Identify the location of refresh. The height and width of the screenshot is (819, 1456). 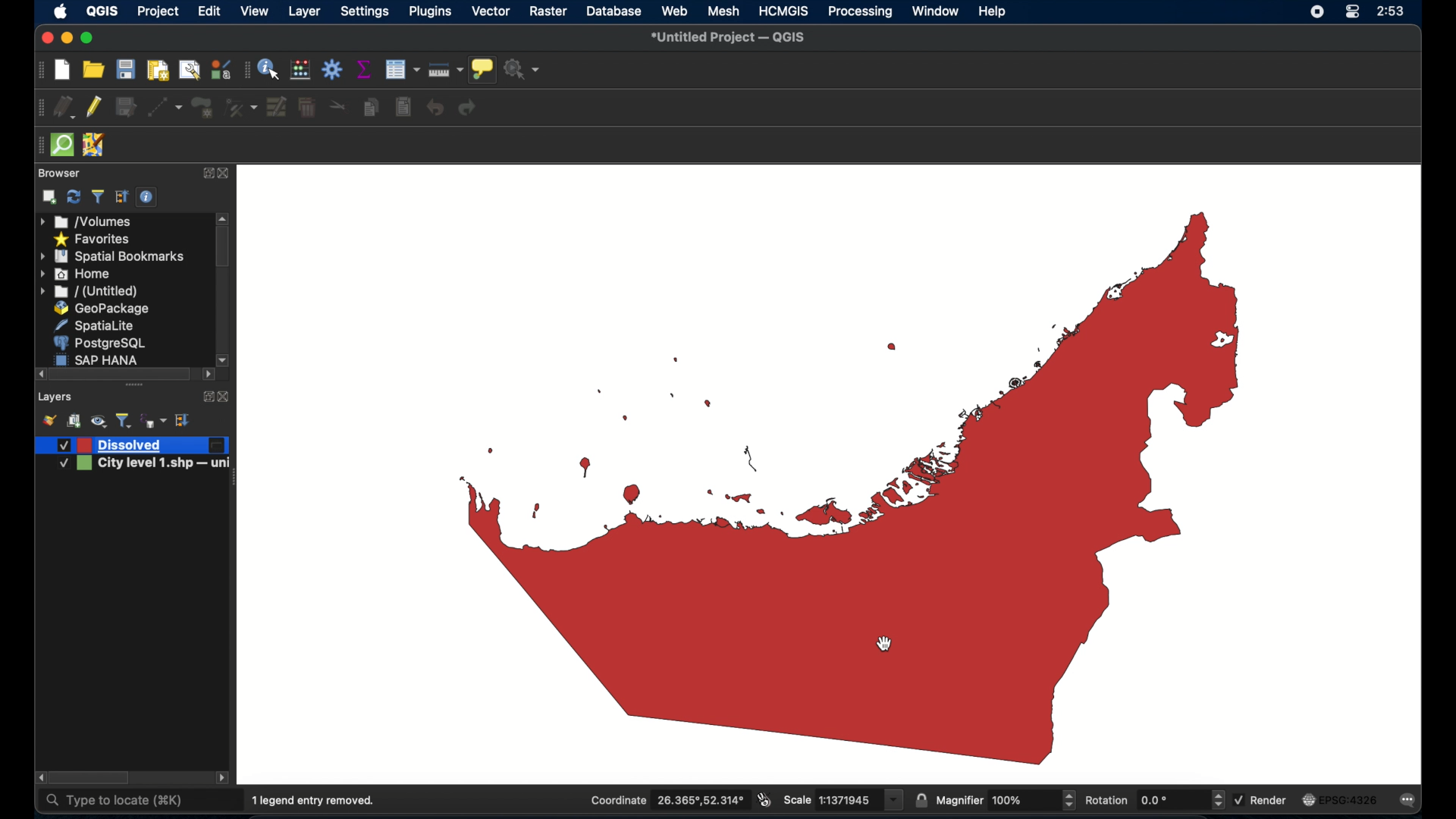
(73, 197).